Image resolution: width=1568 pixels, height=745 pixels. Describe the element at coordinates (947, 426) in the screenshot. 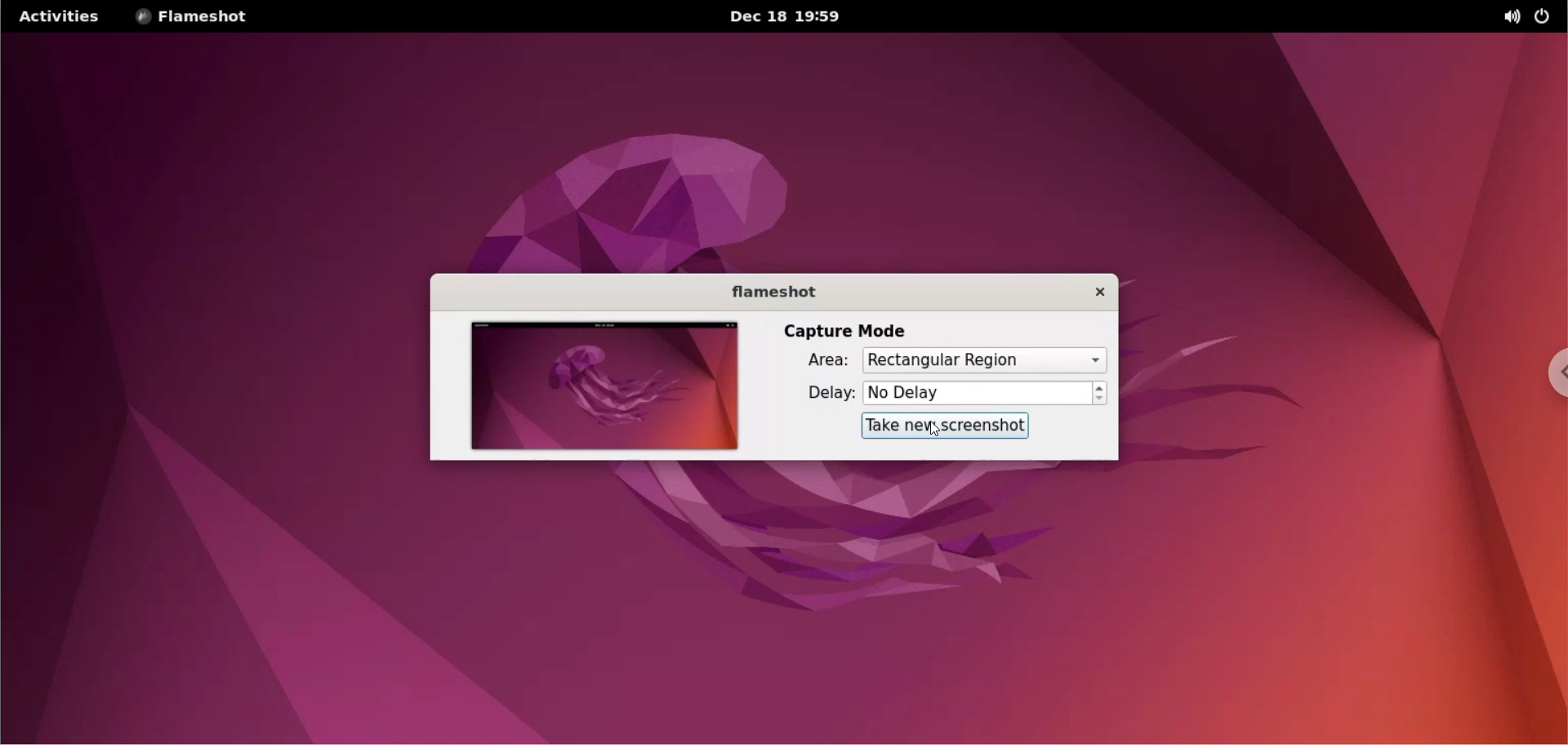

I see `take new screenshot` at that location.